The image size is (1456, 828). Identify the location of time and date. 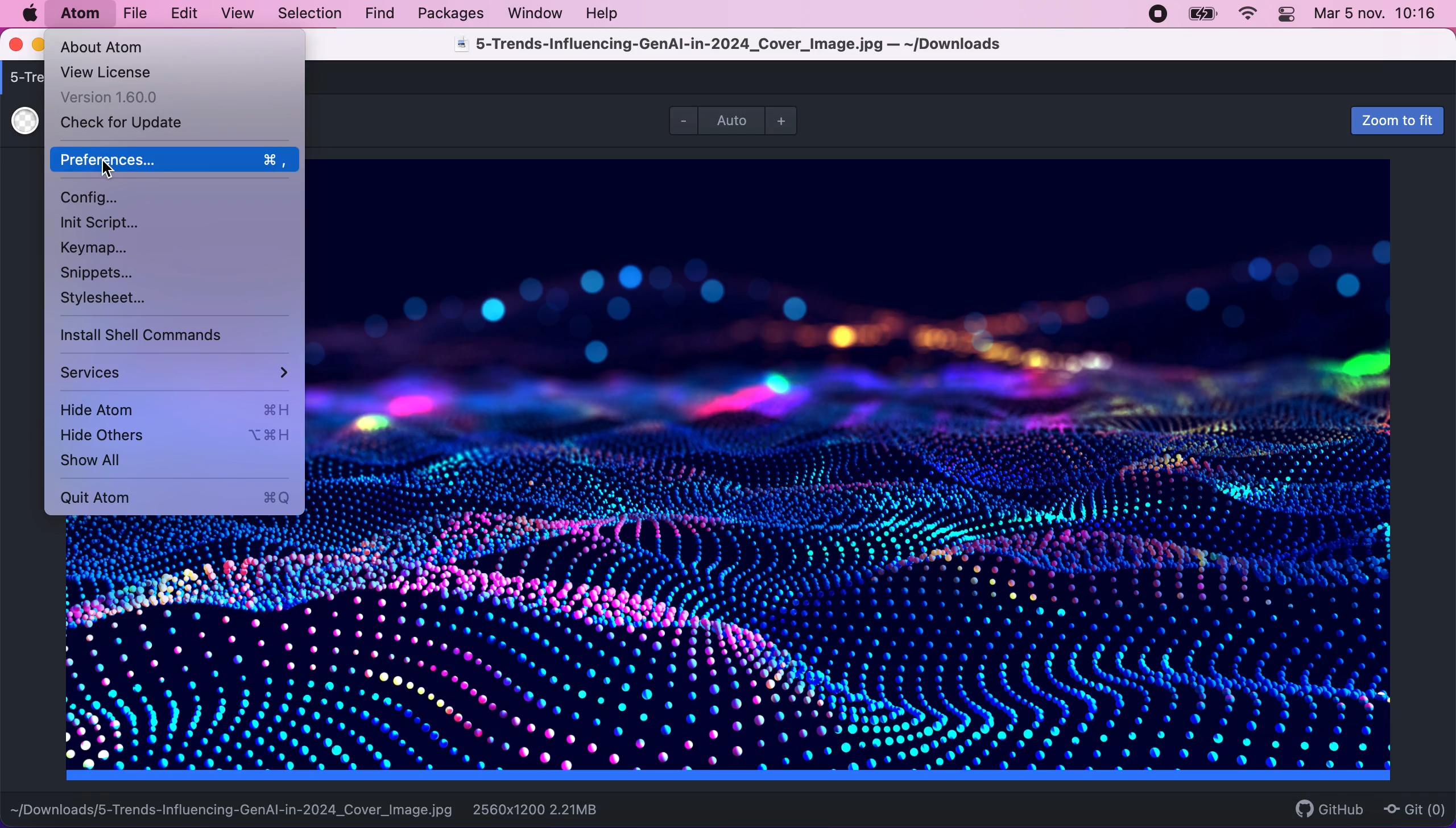
(1378, 16).